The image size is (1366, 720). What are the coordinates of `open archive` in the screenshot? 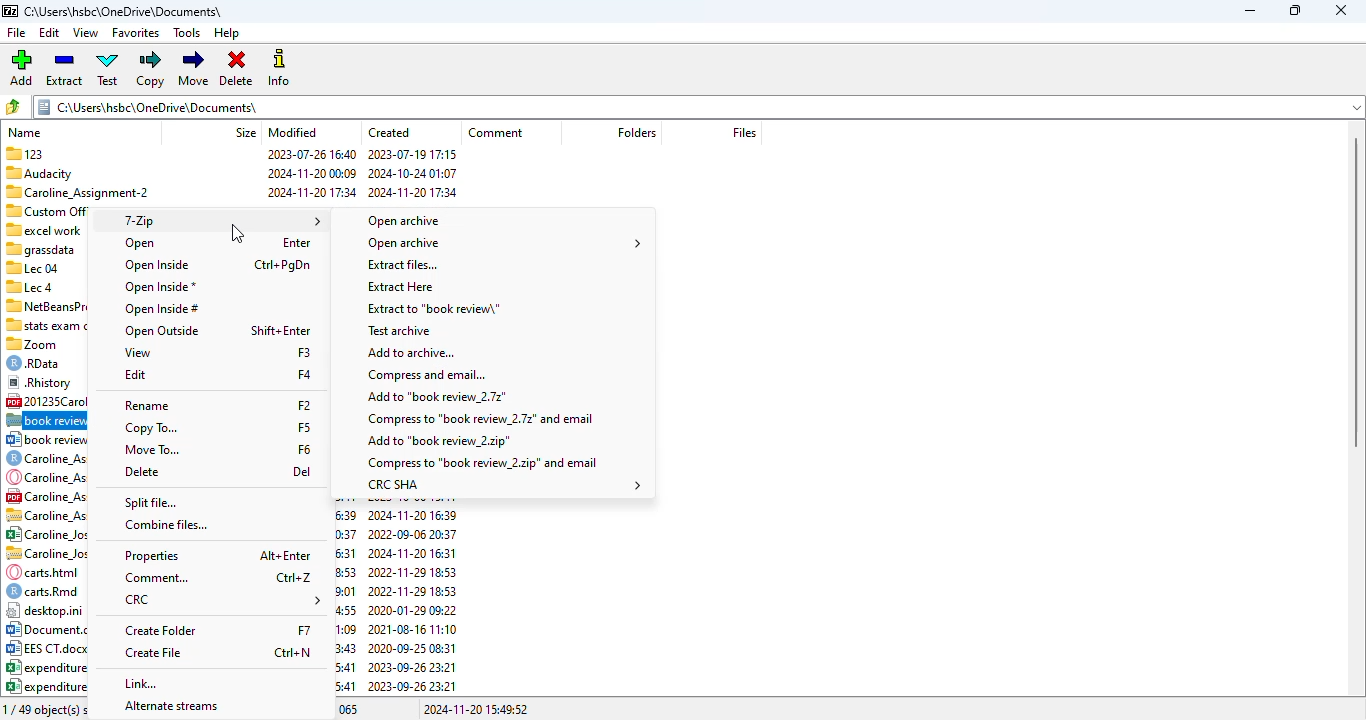 It's located at (404, 221).